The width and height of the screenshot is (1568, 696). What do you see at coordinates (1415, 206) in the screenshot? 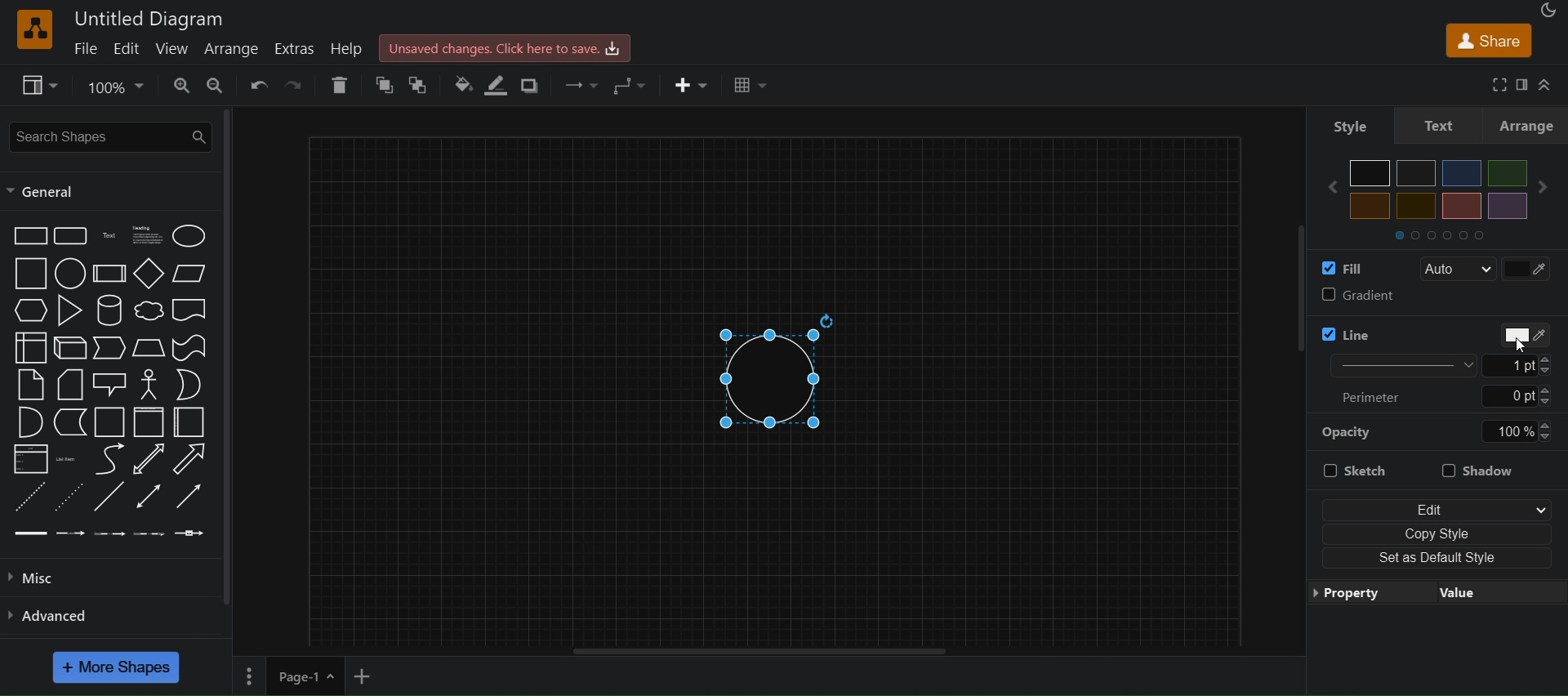
I see `light yellow color` at bounding box center [1415, 206].